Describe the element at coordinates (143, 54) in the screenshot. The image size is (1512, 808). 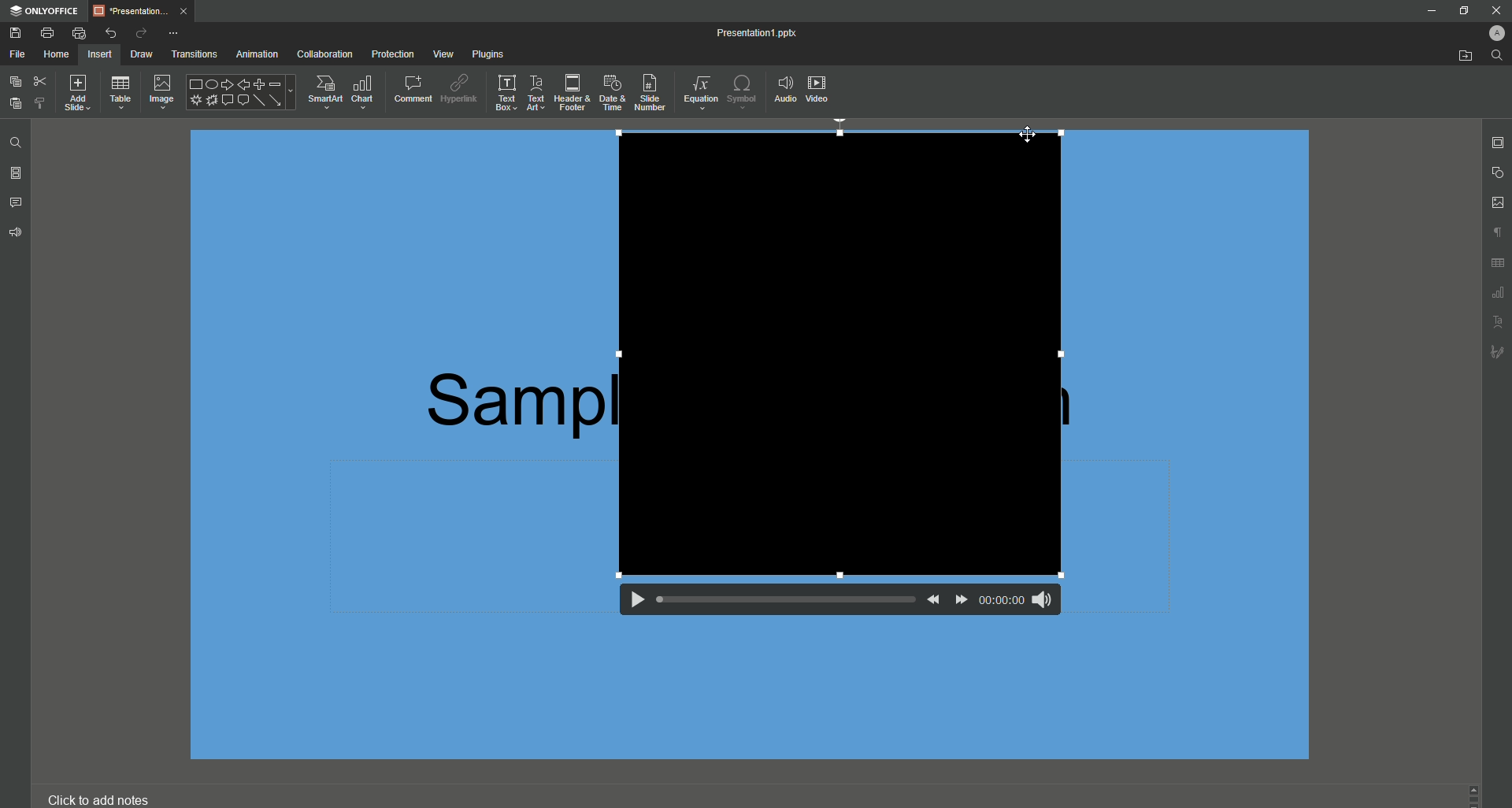
I see `Draw` at that location.